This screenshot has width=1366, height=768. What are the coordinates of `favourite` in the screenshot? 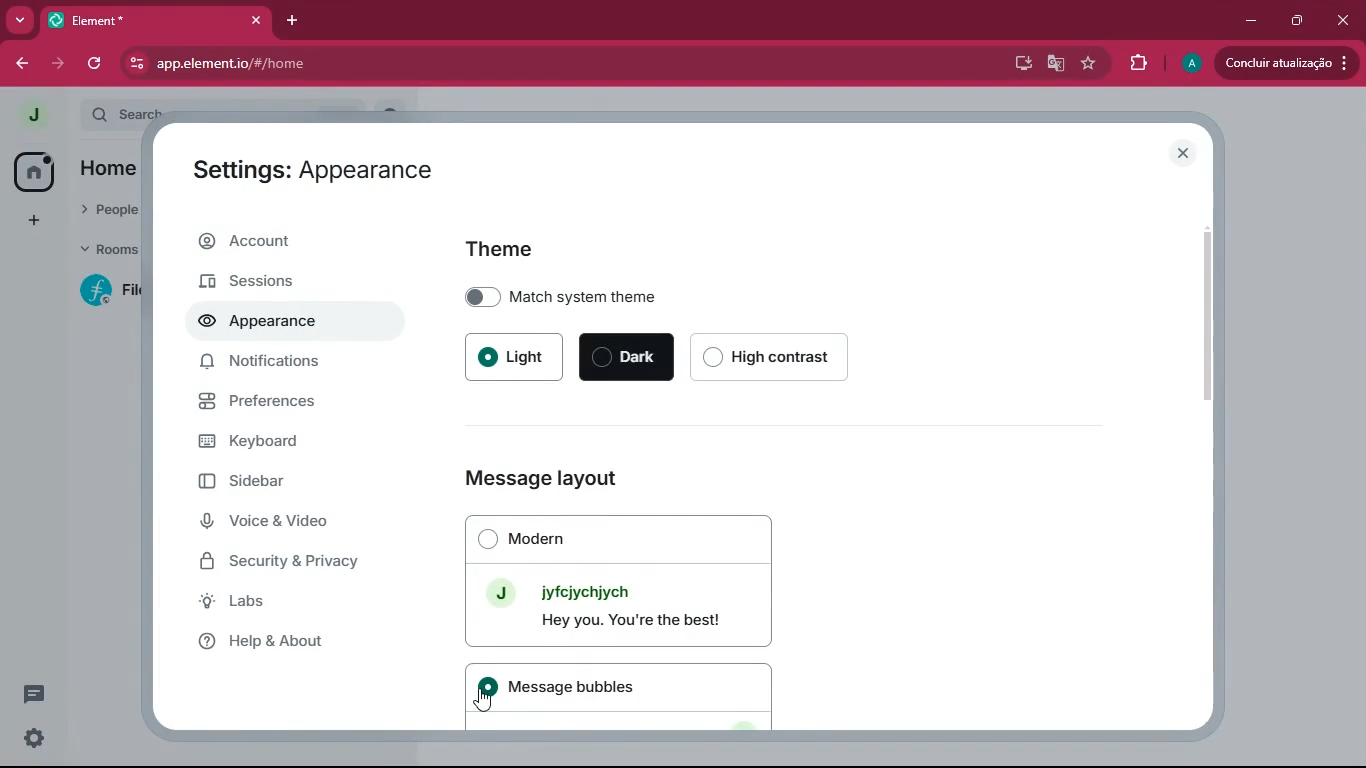 It's located at (1093, 63).